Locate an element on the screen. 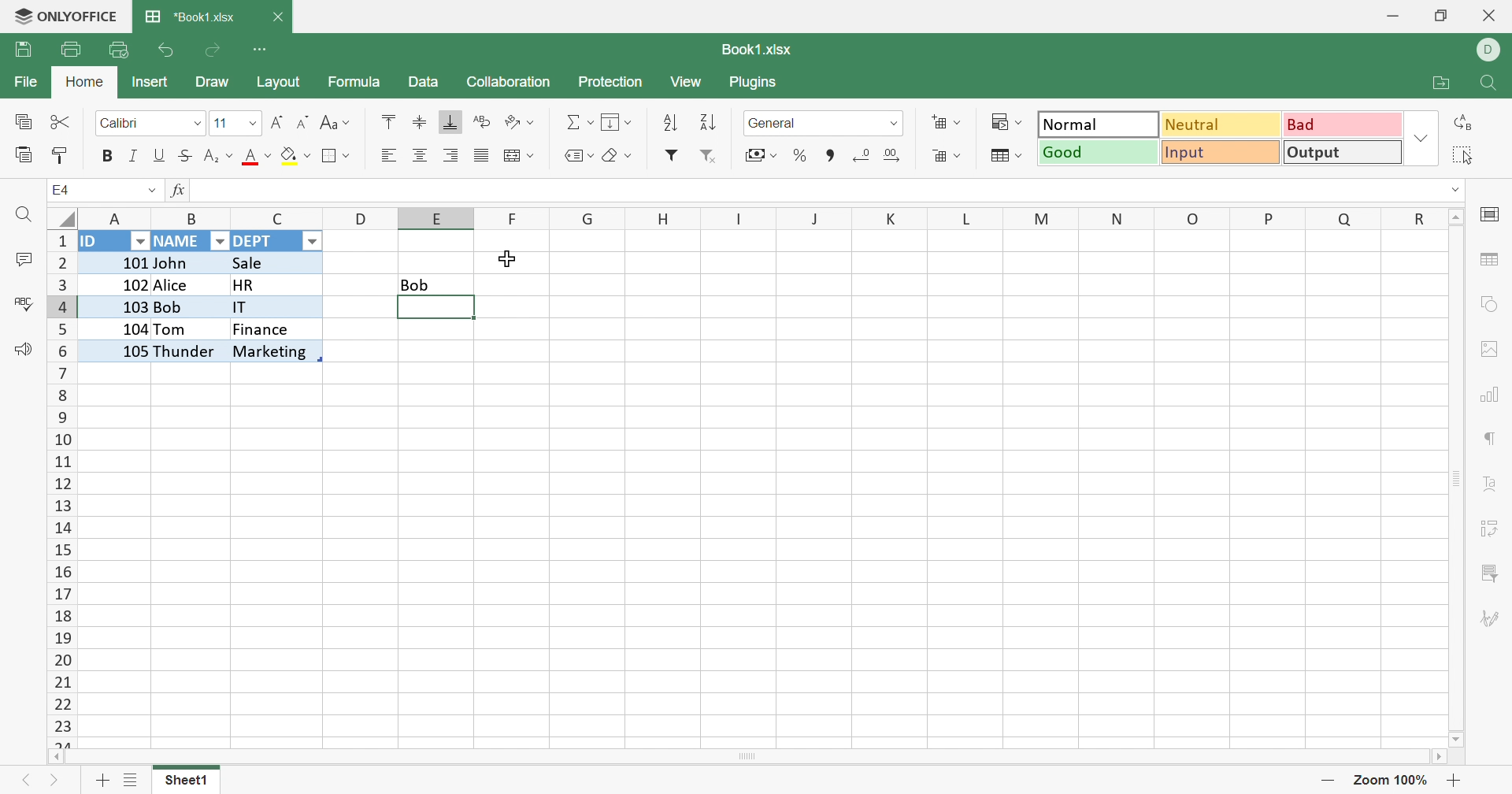  Tom is located at coordinates (173, 328).